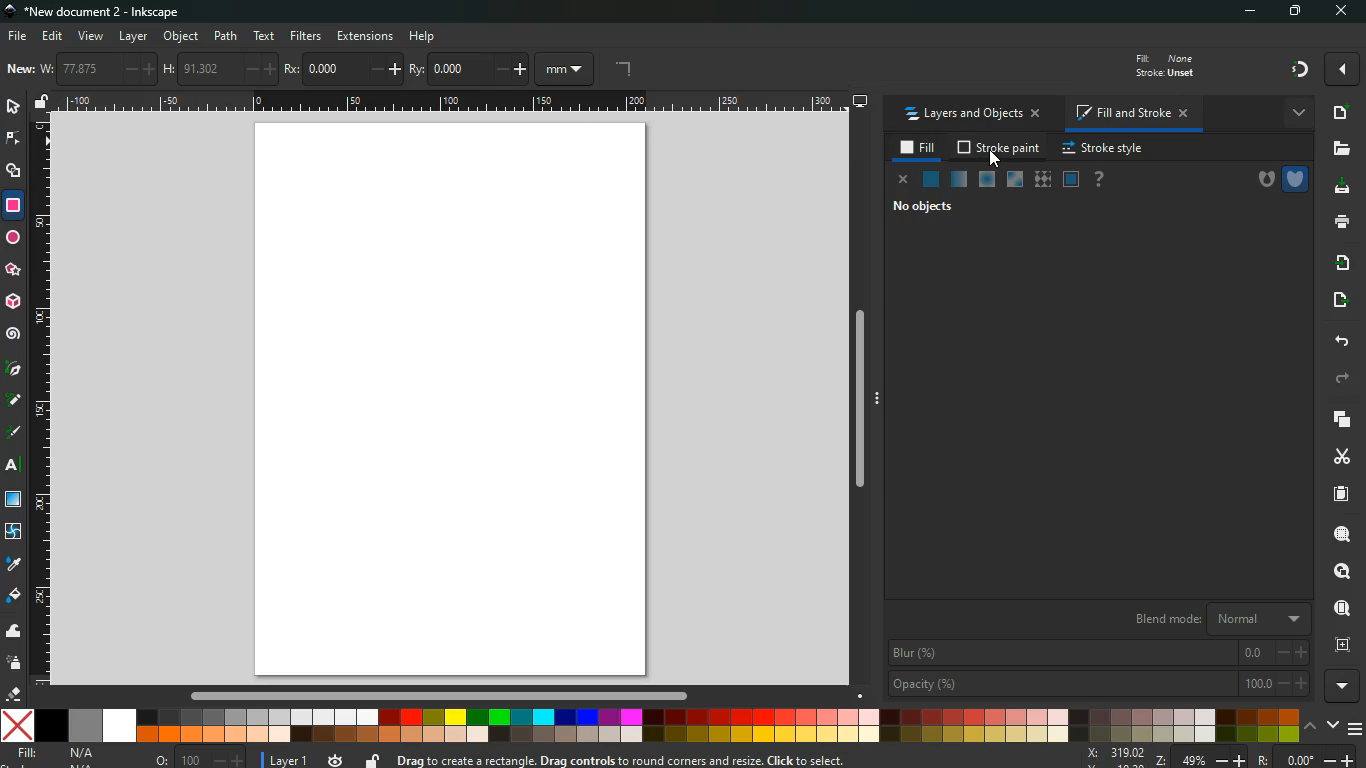  I want to click on vertical ruler, so click(43, 405).